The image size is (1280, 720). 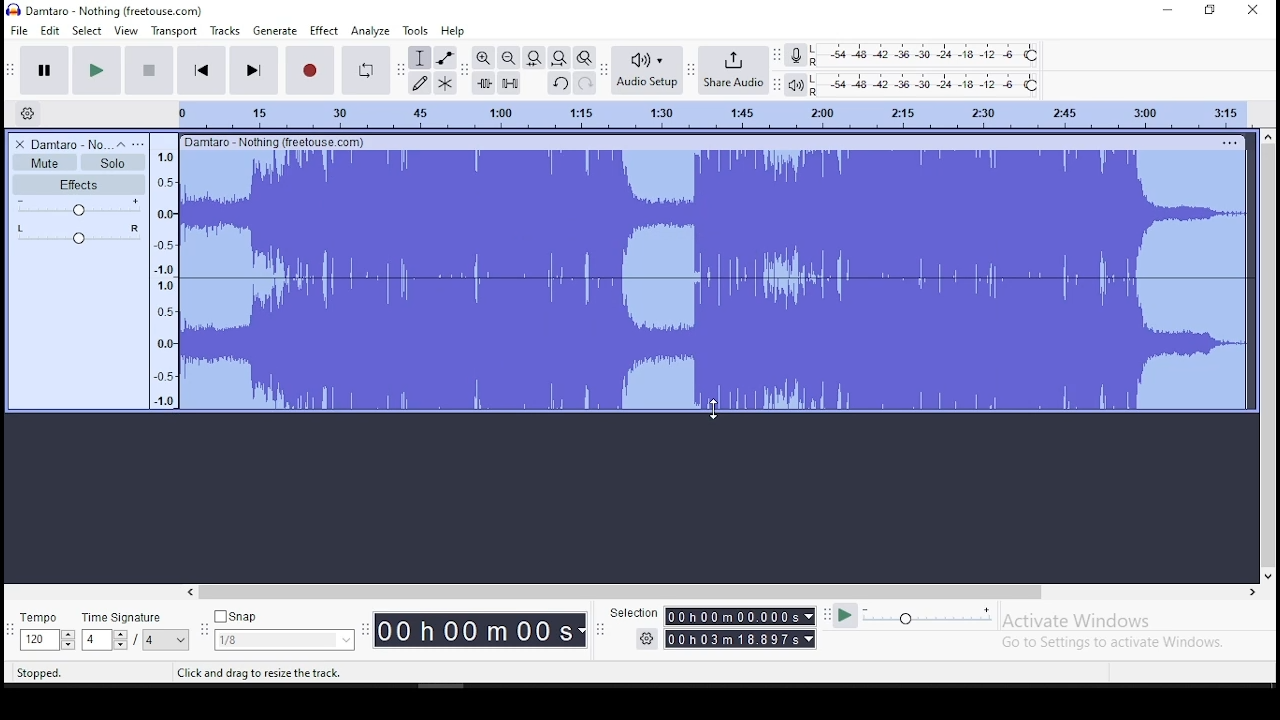 What do you see at coordinates (1231, 140) in the screenshot?
I see `` at bounding box center [1231, 140].